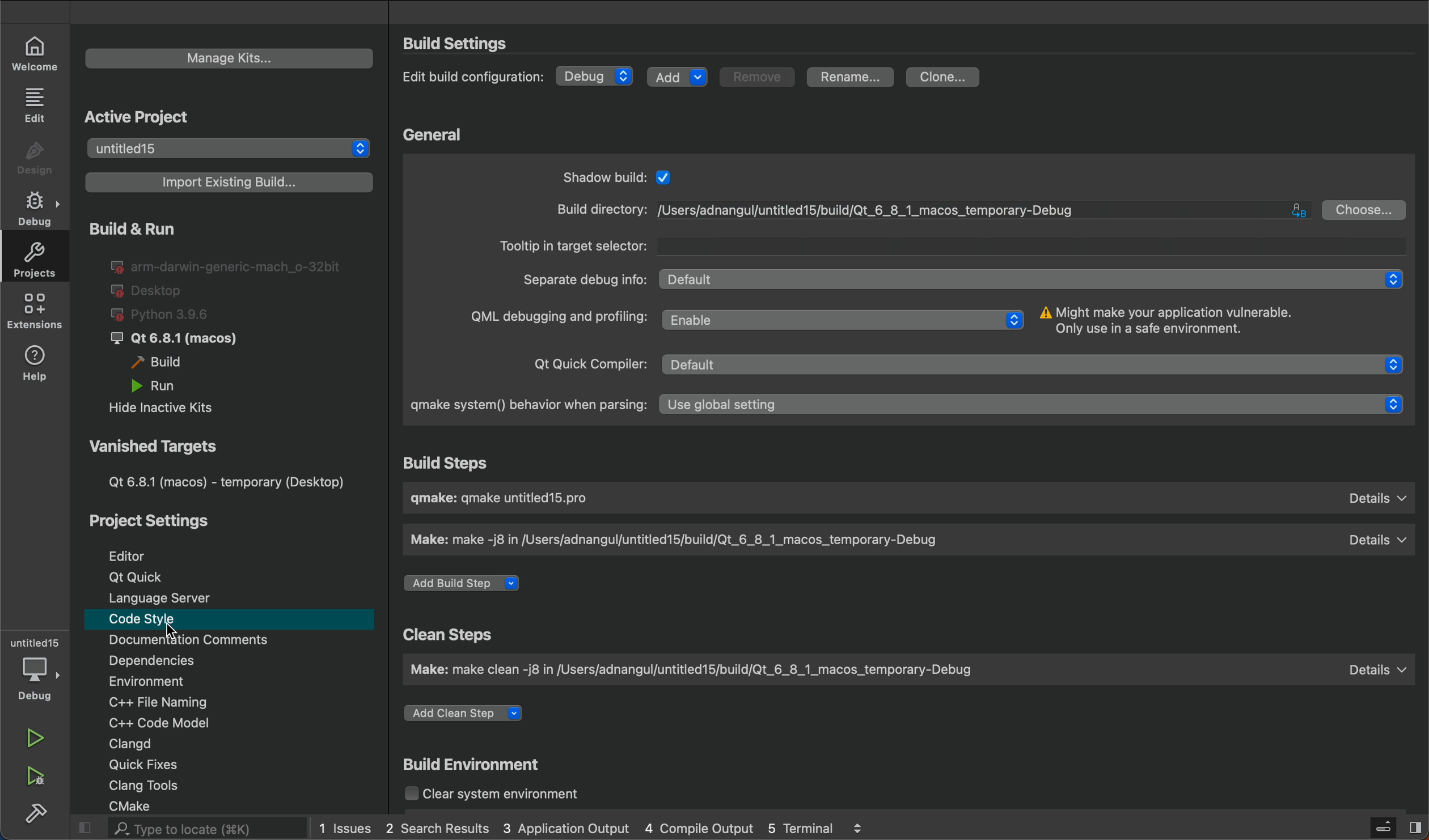 Image resolution: width=1429 pixels, height=840 pixels. I want to click on remove, so click(756, 75).